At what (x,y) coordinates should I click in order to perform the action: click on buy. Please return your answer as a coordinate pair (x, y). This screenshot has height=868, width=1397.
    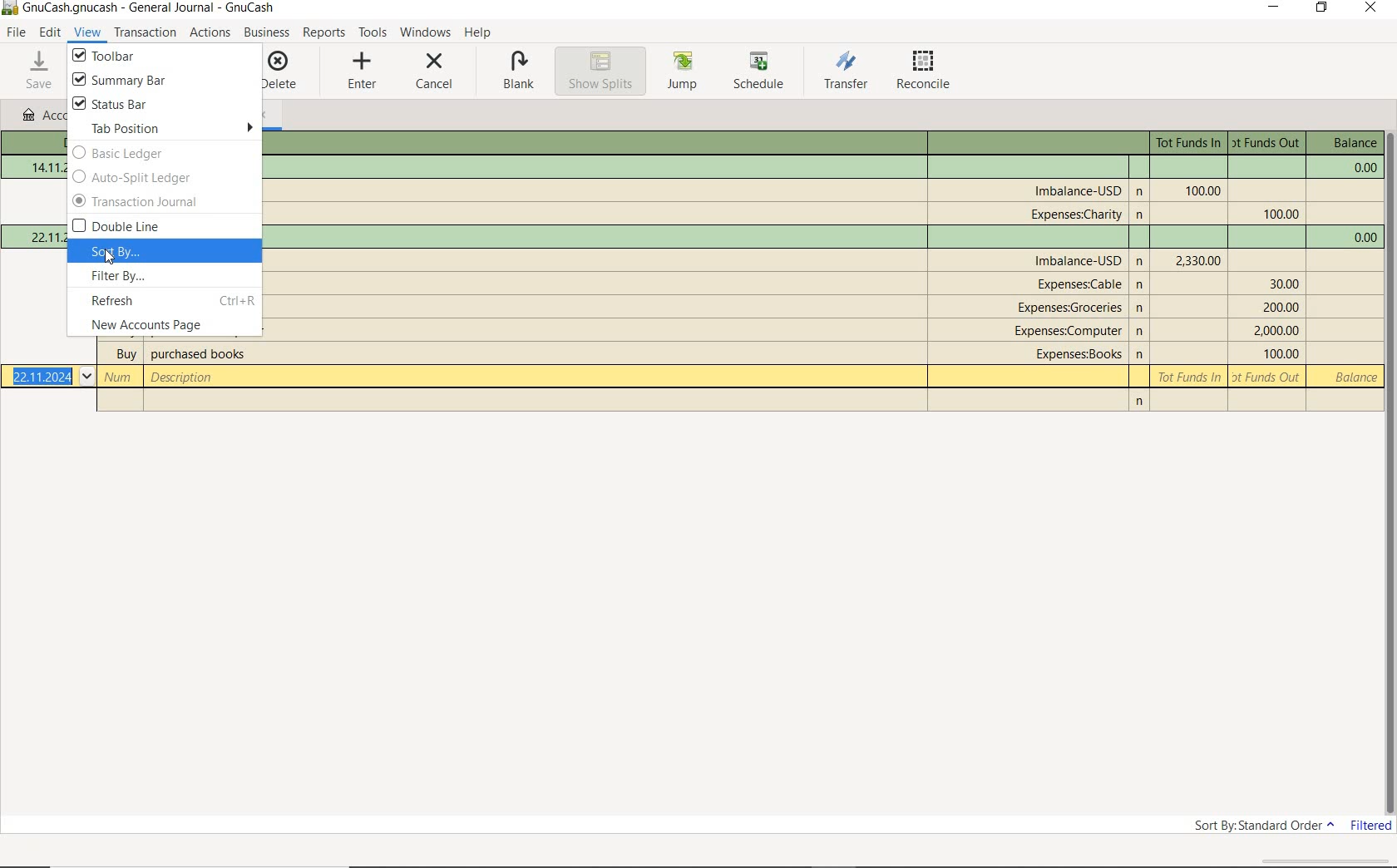
    Looking at the image, I should click on (126, 355).